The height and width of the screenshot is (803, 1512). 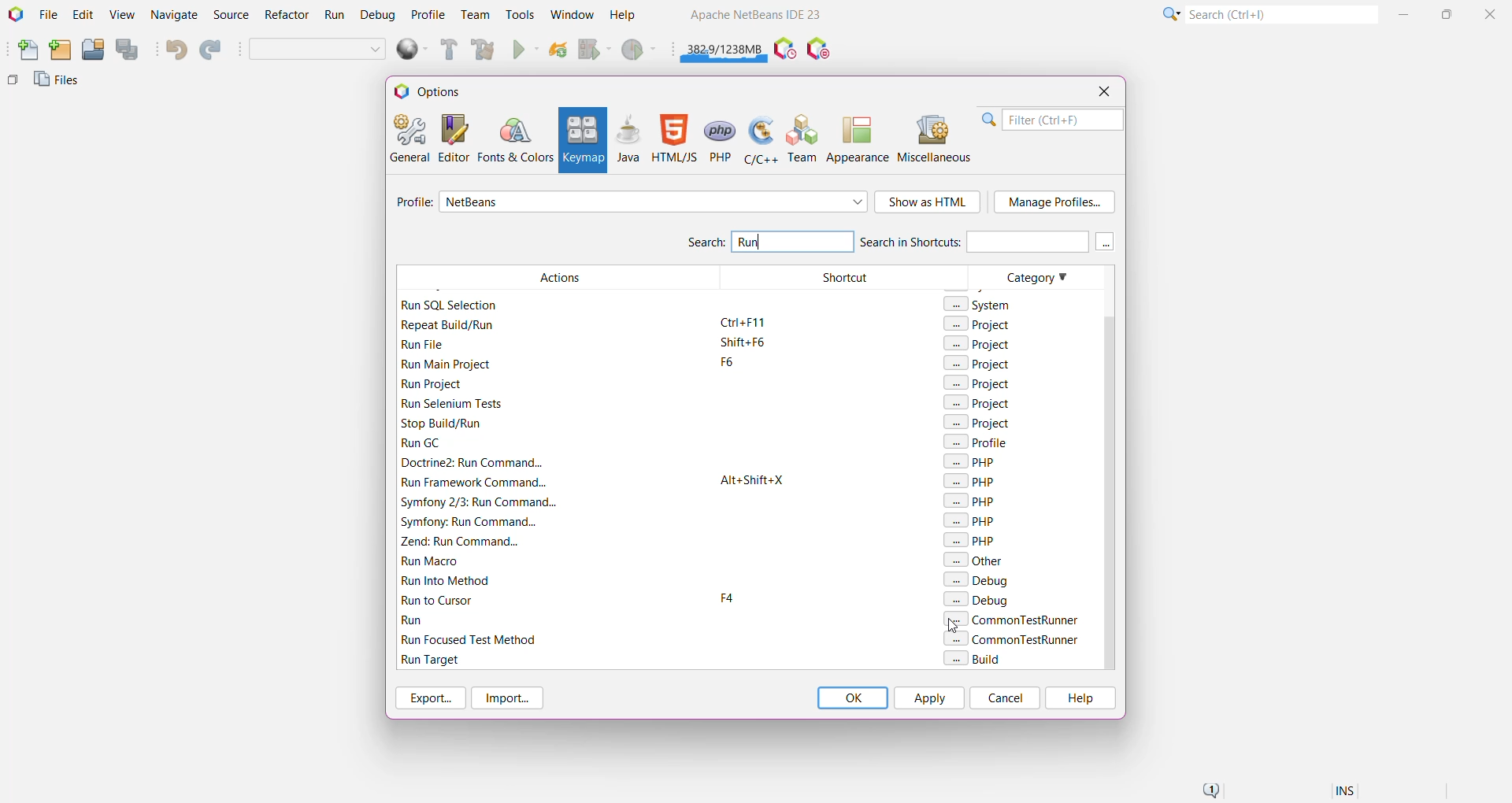 I want to click on Refactor, so click(x=288, y=17).